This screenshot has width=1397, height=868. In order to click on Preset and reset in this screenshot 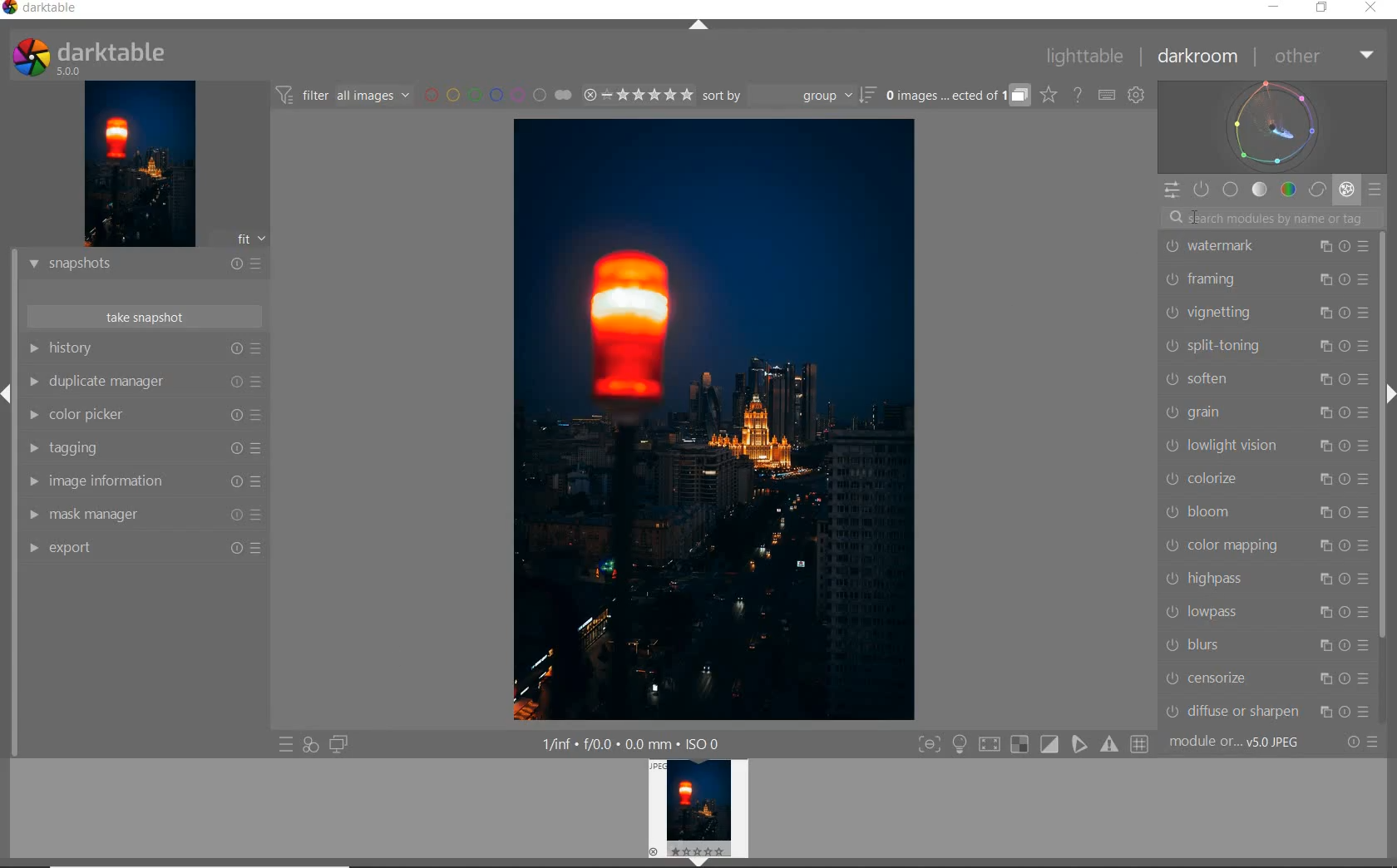, I will do `click(1365, 547)`.